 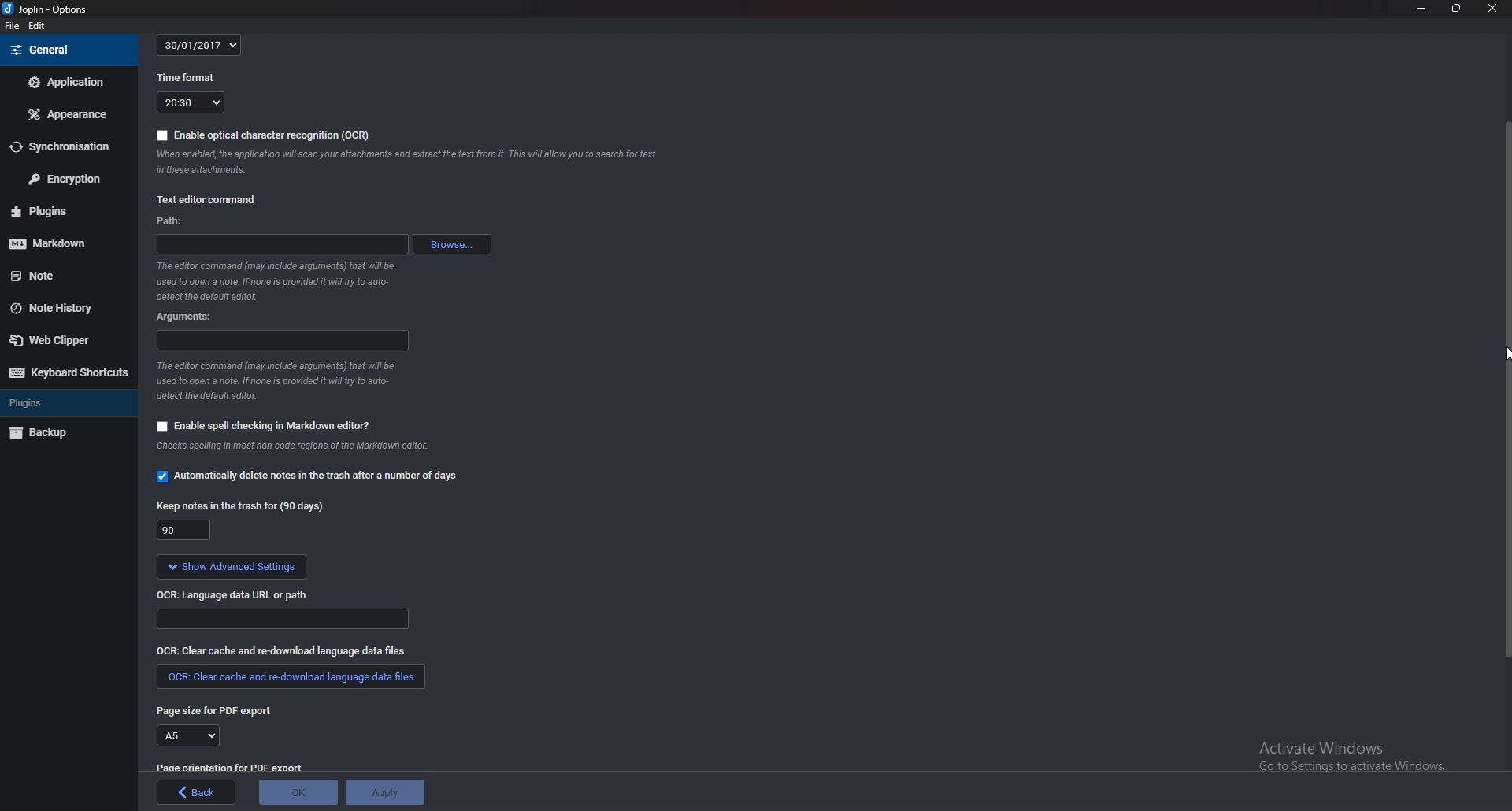 I want to click on Keep notes in the trash for, so click(x=240, y=508).